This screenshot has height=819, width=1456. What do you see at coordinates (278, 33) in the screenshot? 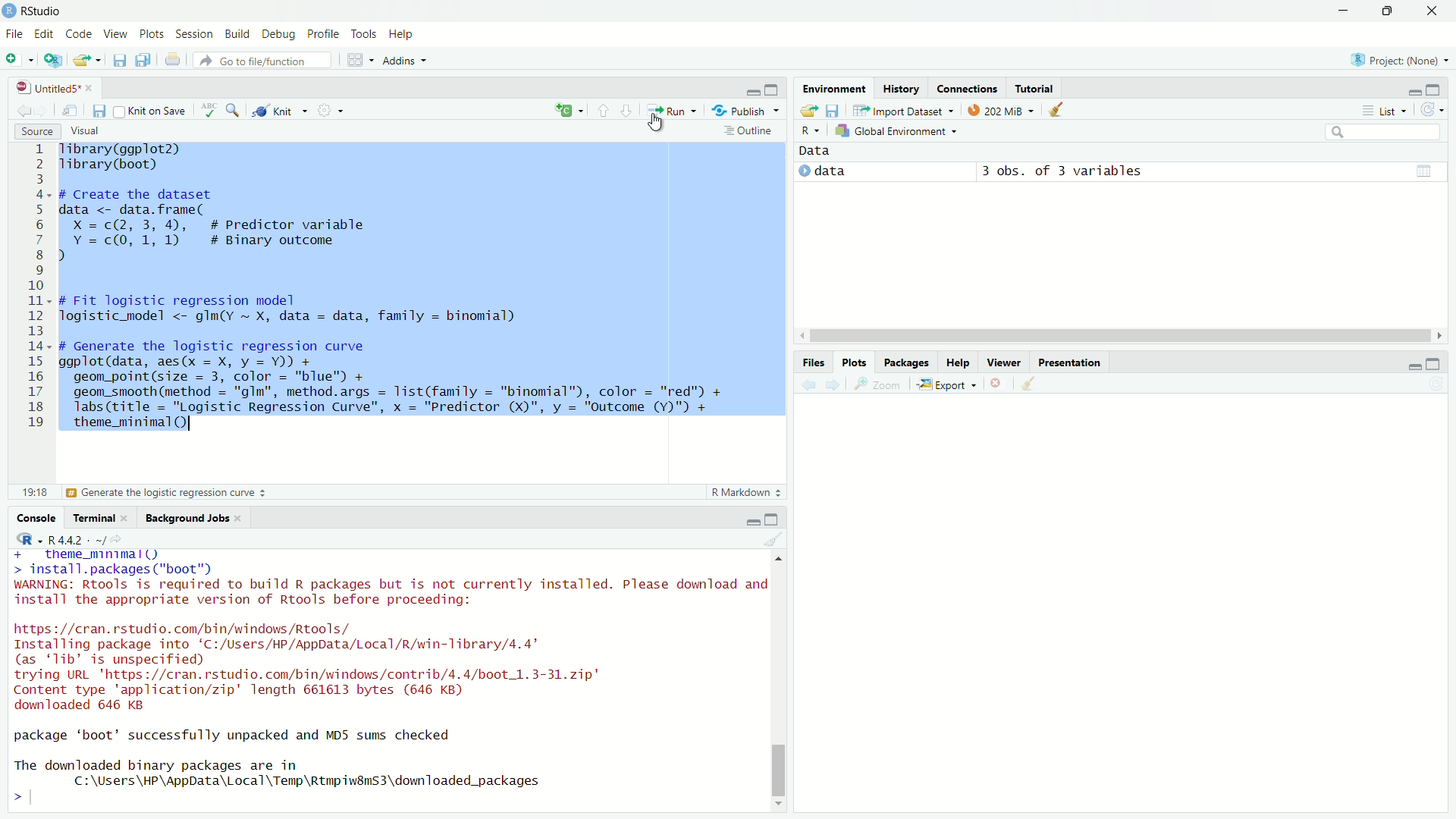
I see `Debug` at bounding box center [278, 33].